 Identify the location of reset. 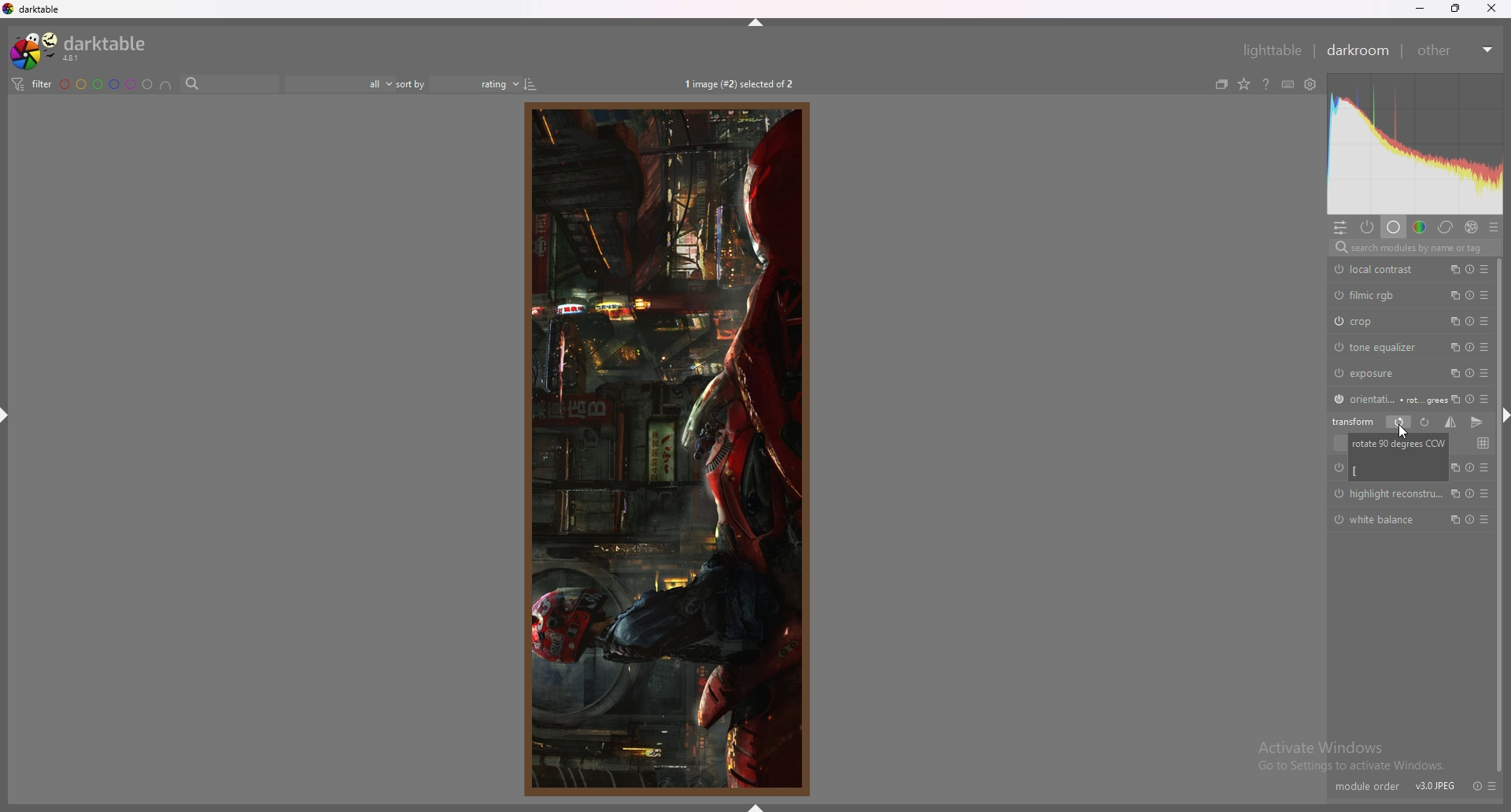
(1469, 519).